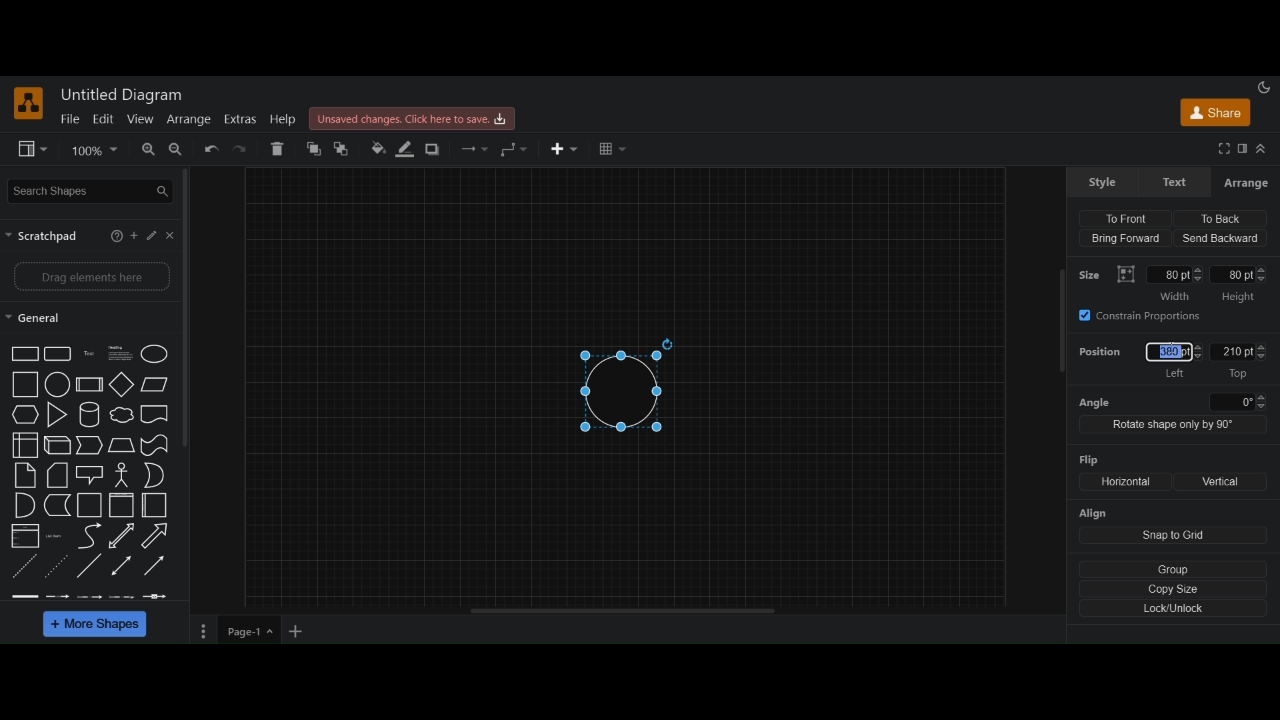  What do you see at coordinates (1093, 273) in the screenshot?
I see `size` at bounding box center [1093, 273].